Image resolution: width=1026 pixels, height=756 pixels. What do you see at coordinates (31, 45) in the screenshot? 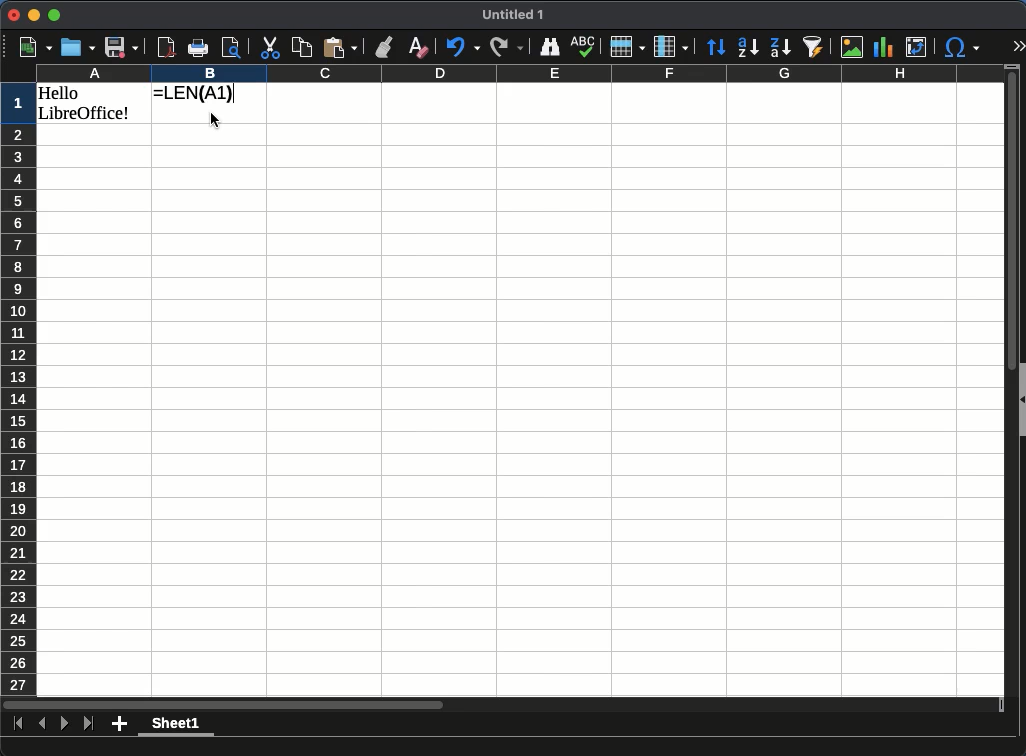
I see `new` at bounding box center [31, 45].